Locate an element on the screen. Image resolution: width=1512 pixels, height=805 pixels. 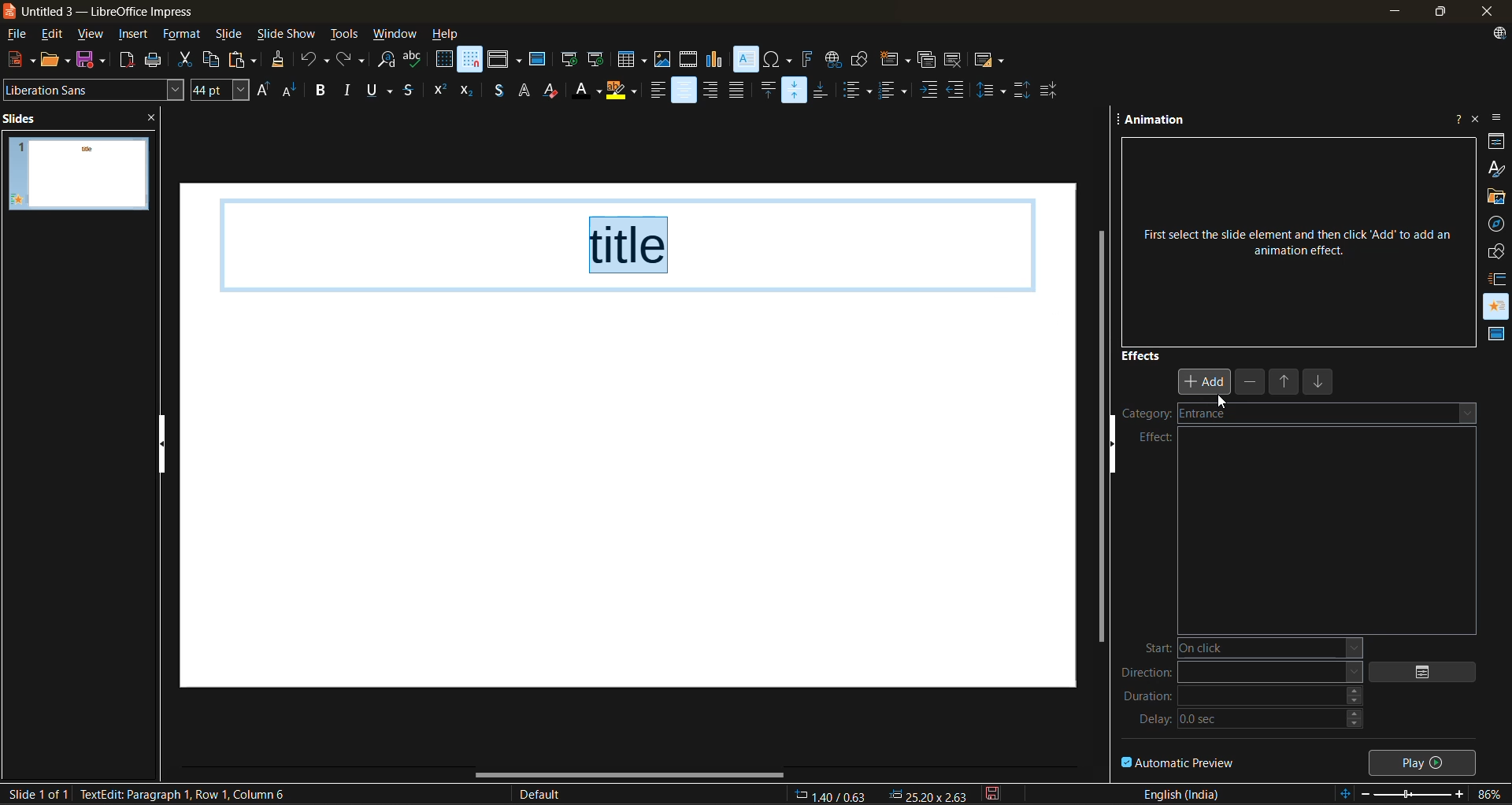
font color is located at coordinates (588, 92).